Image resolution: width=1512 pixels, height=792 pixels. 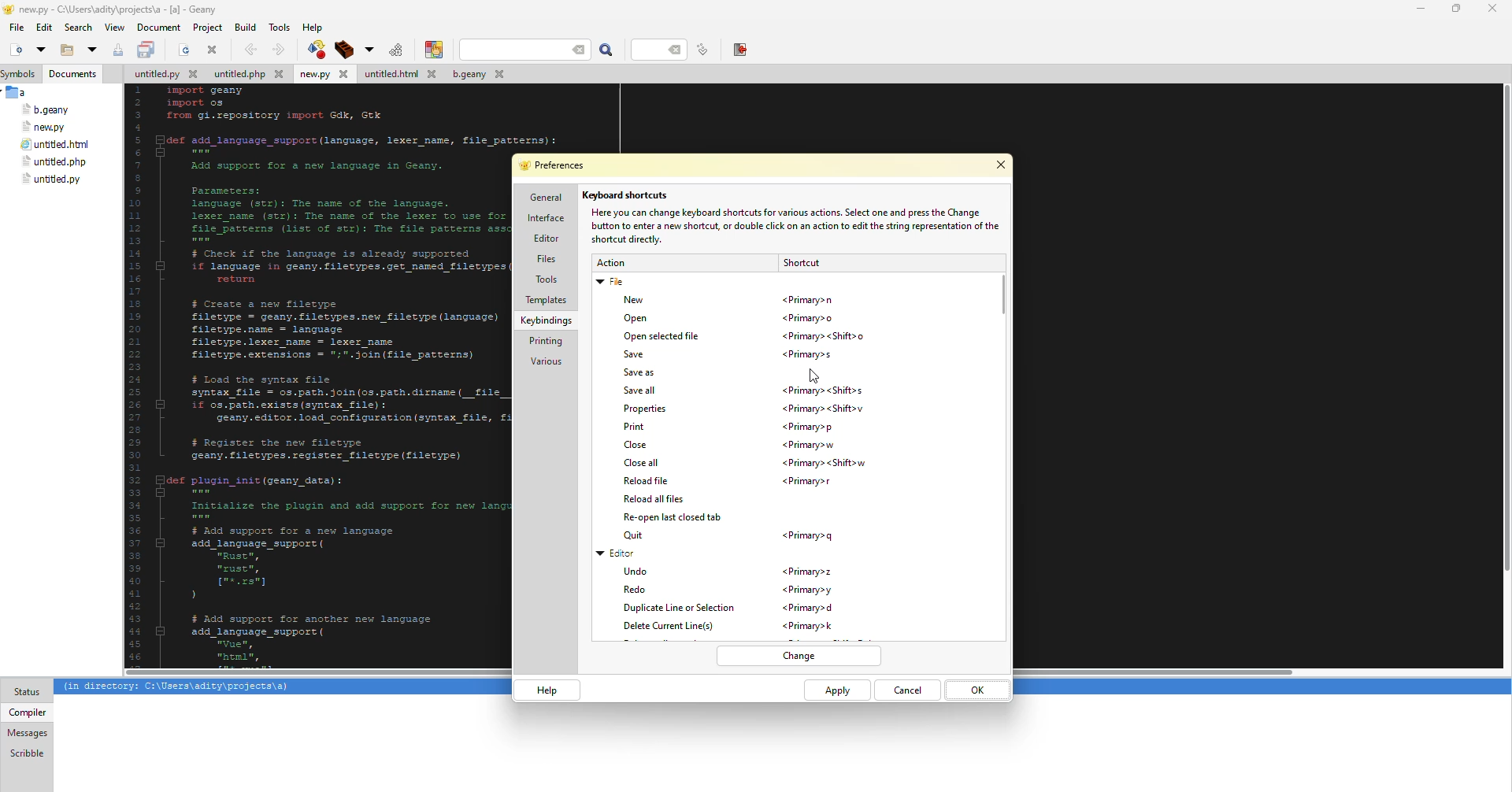 What do you see at coordinates (53, 162) in the screenshot?
I see `file` at bounding box center [53, 162].